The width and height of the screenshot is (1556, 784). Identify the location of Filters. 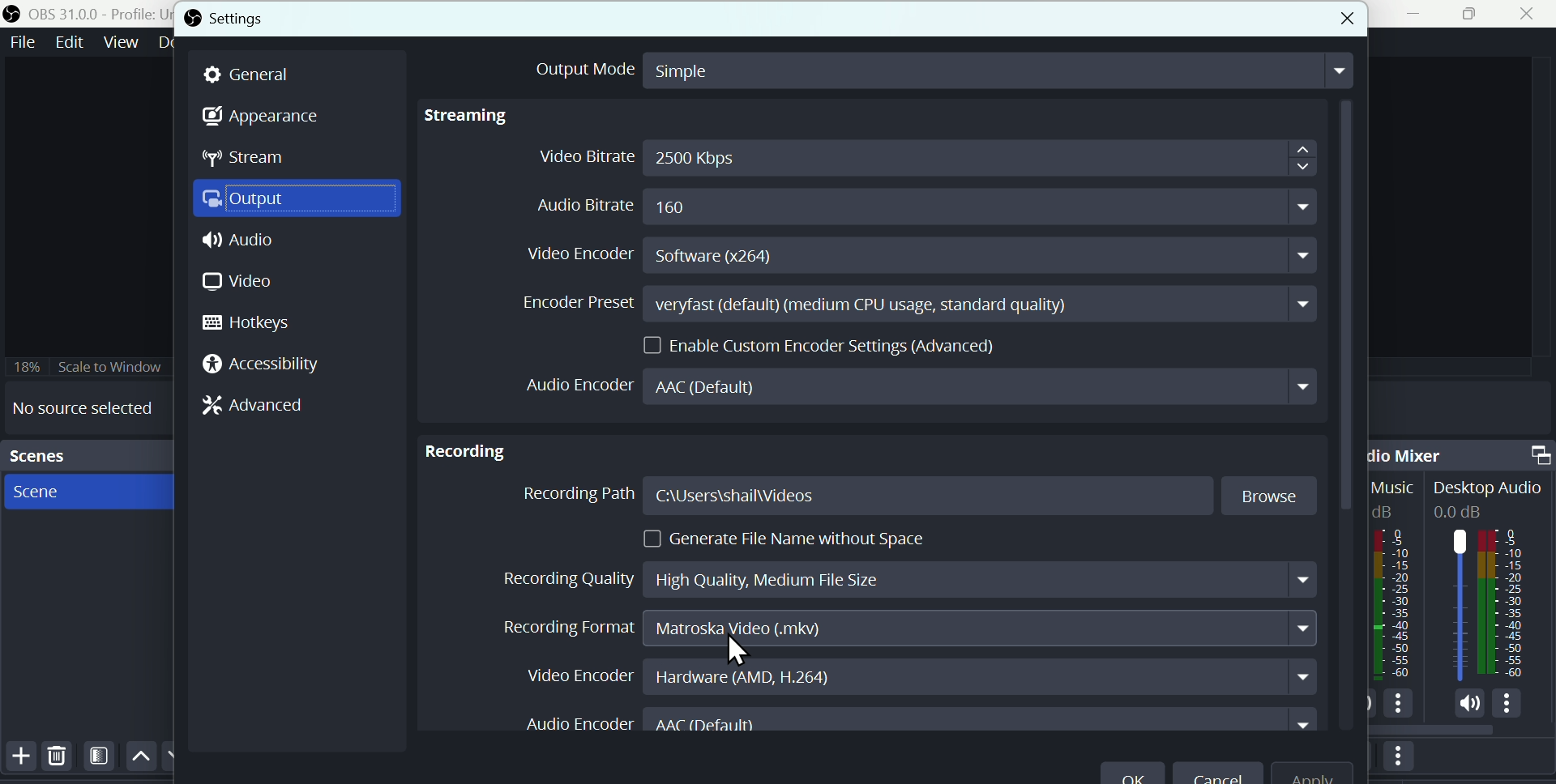
(104, 761).